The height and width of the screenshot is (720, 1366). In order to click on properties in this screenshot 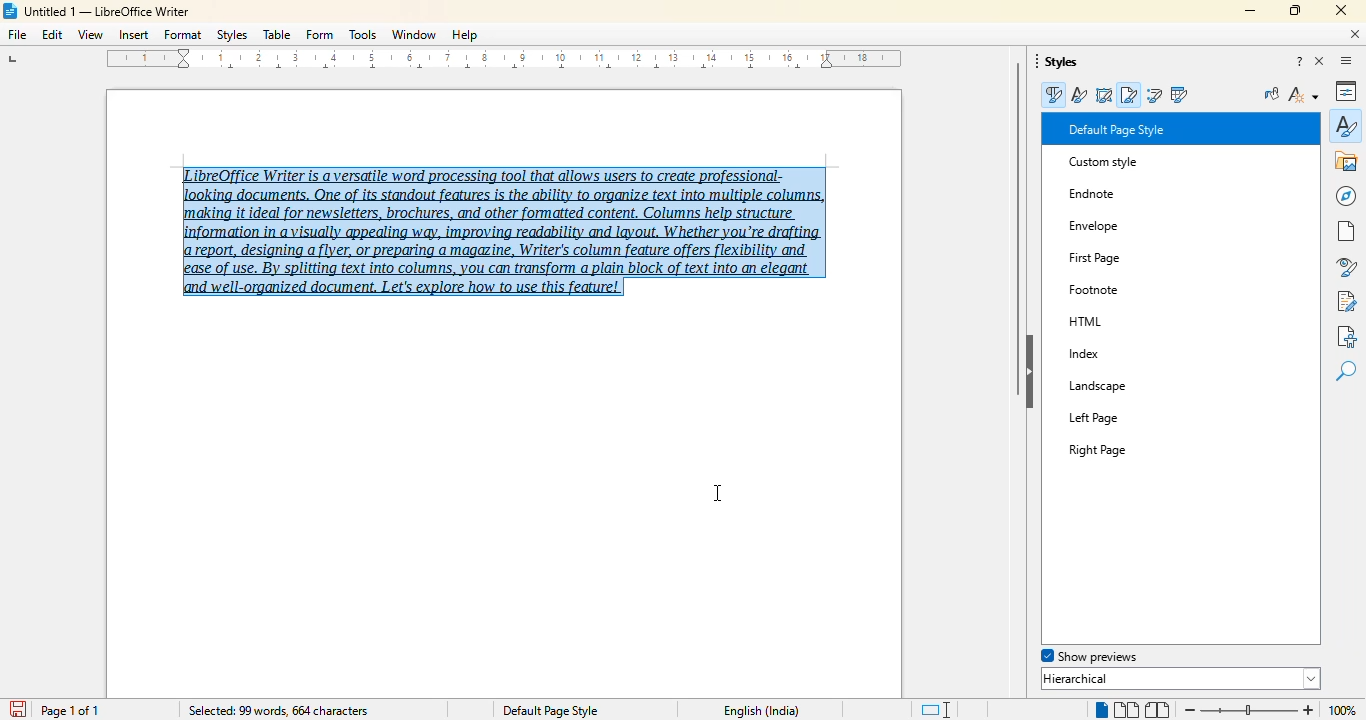, I will do `click(1348, 90)`.